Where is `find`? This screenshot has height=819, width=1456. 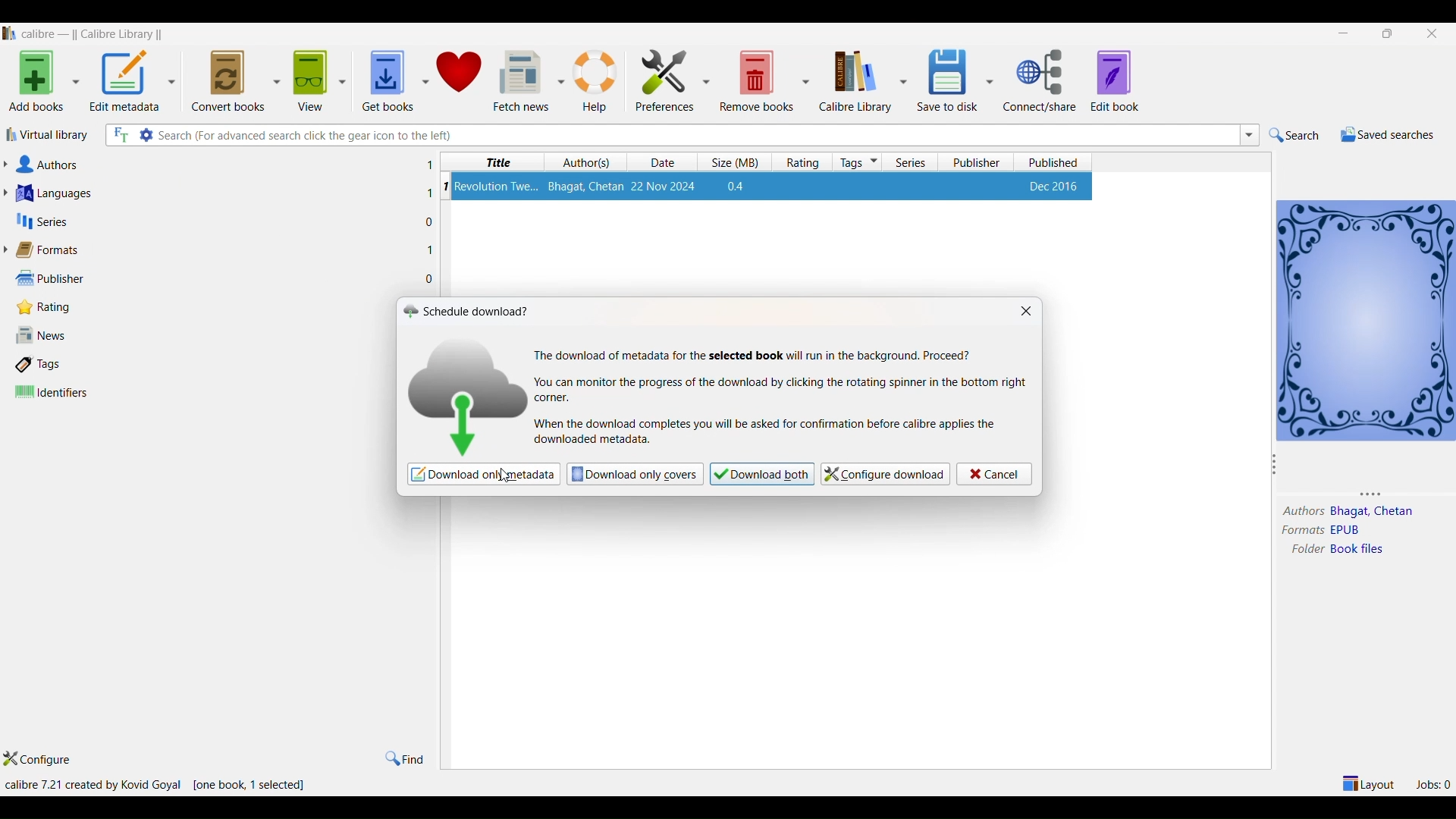
find is located at coordinates (407, 757).